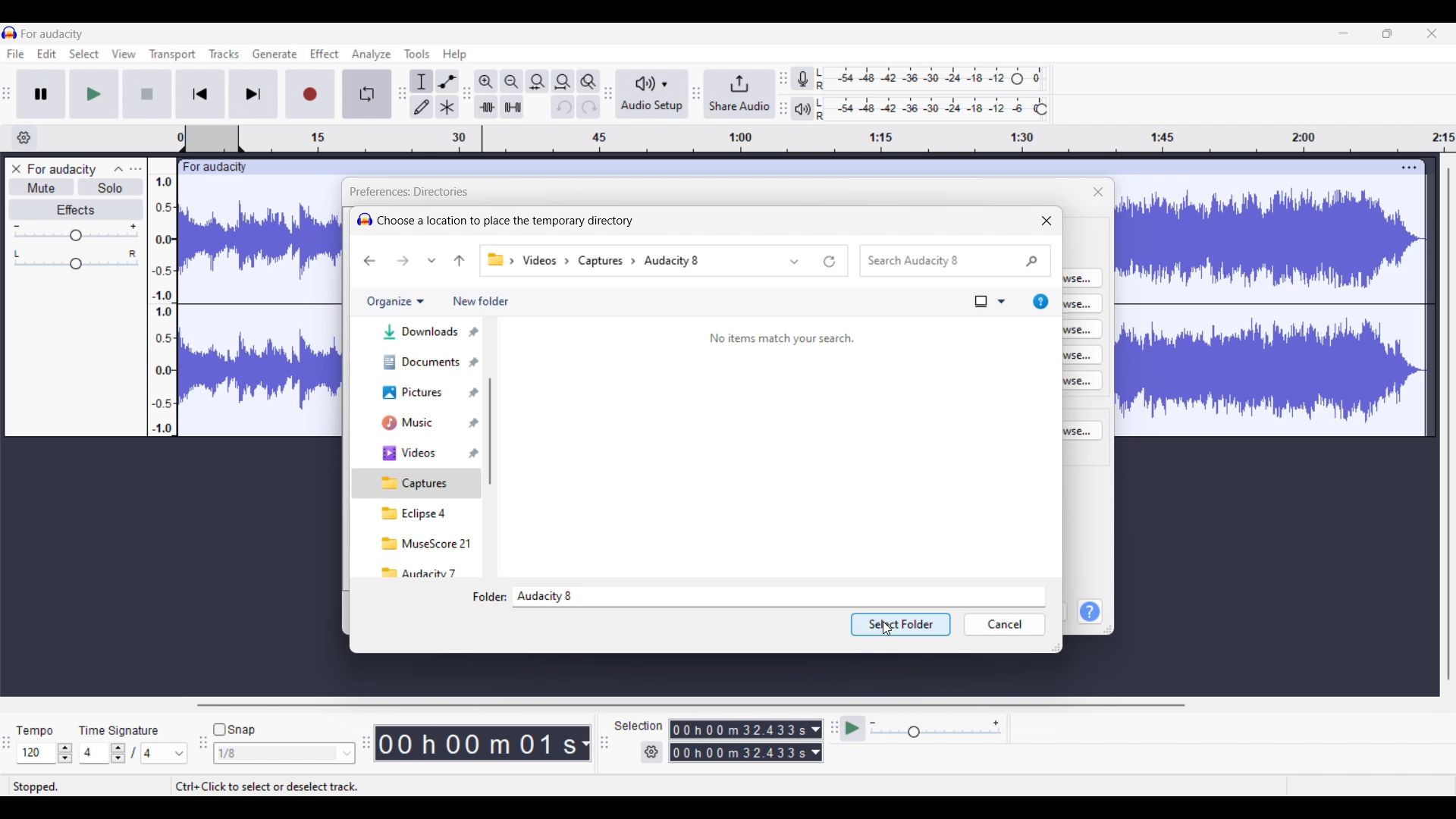 Image resolution: width=1456 pixels, height=819 pixels. What do you see at coordinates (422, 81) in the screenshot?
I see `Selection tool` at bounding box center [422, 81].